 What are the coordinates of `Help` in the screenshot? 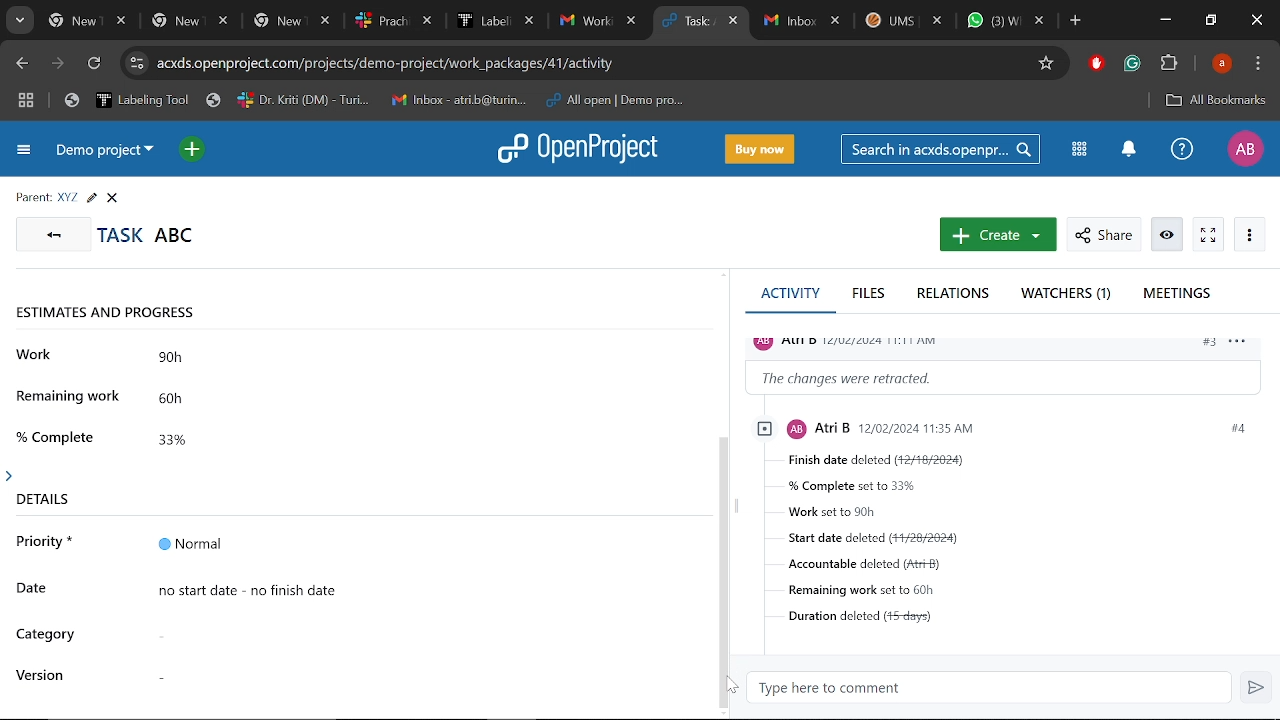 It's located at (1179, 149).